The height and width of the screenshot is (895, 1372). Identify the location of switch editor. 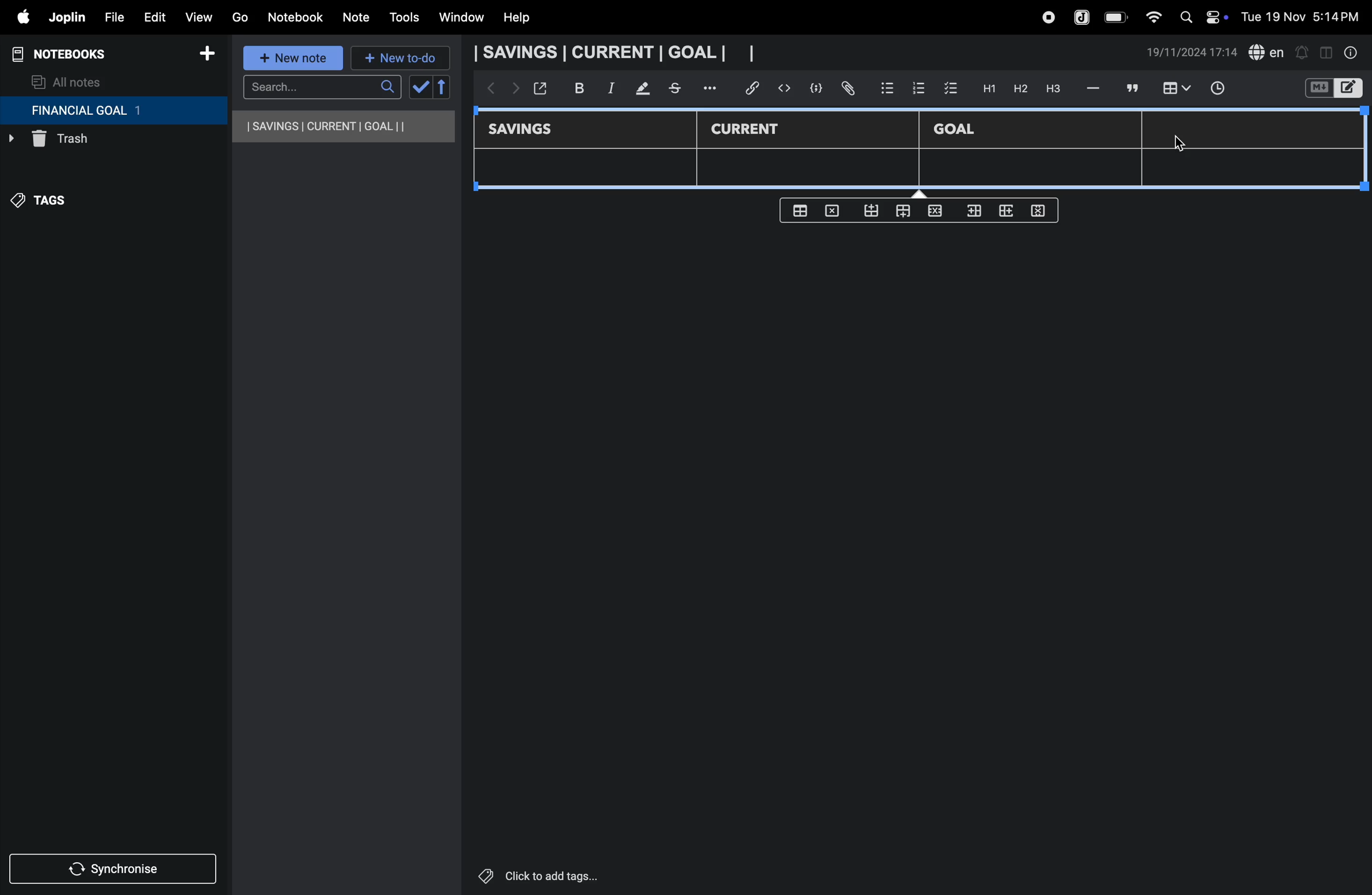
(1332, 88).